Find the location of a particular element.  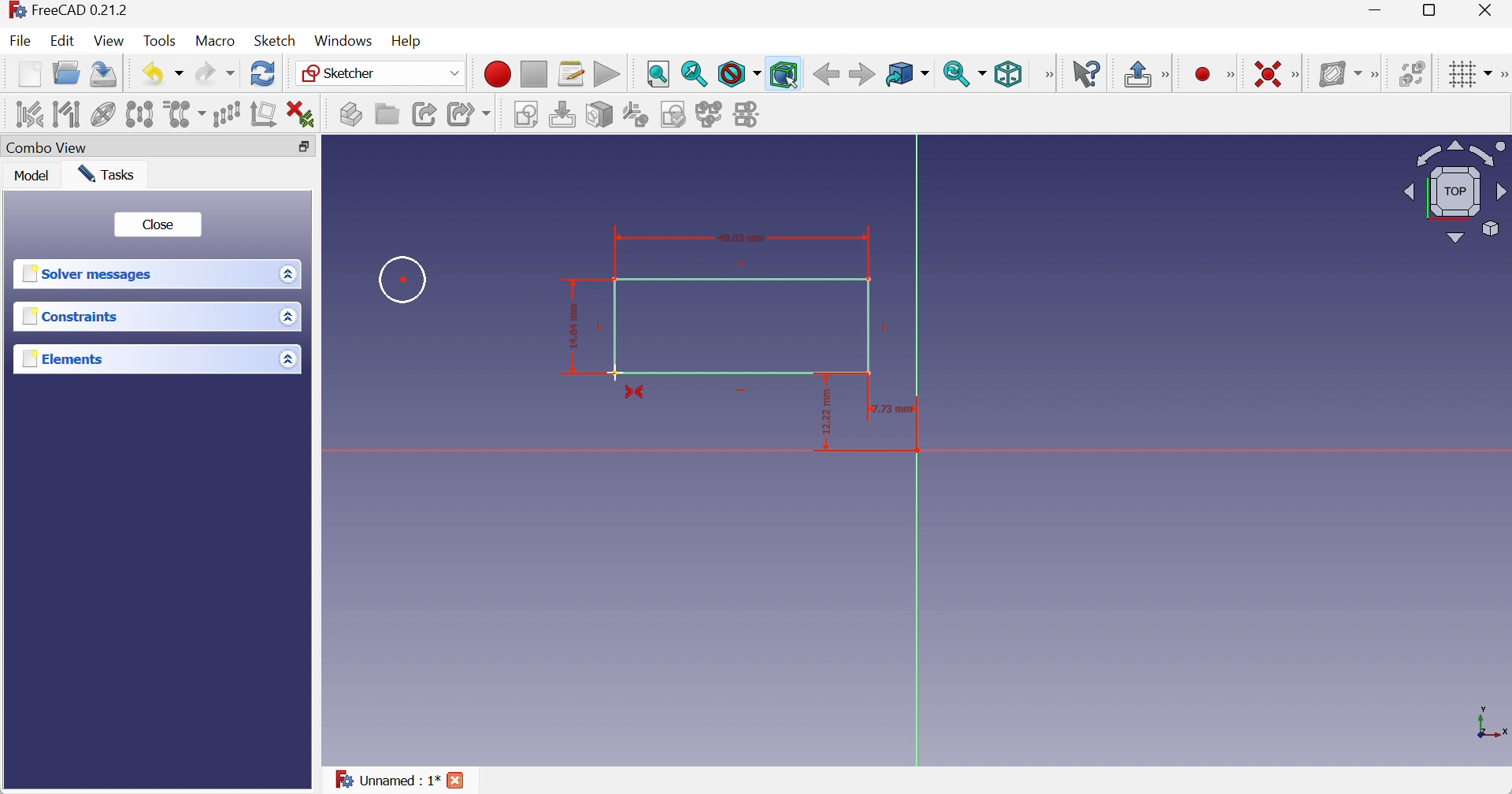

Edit is located at coordinates (61, 40).